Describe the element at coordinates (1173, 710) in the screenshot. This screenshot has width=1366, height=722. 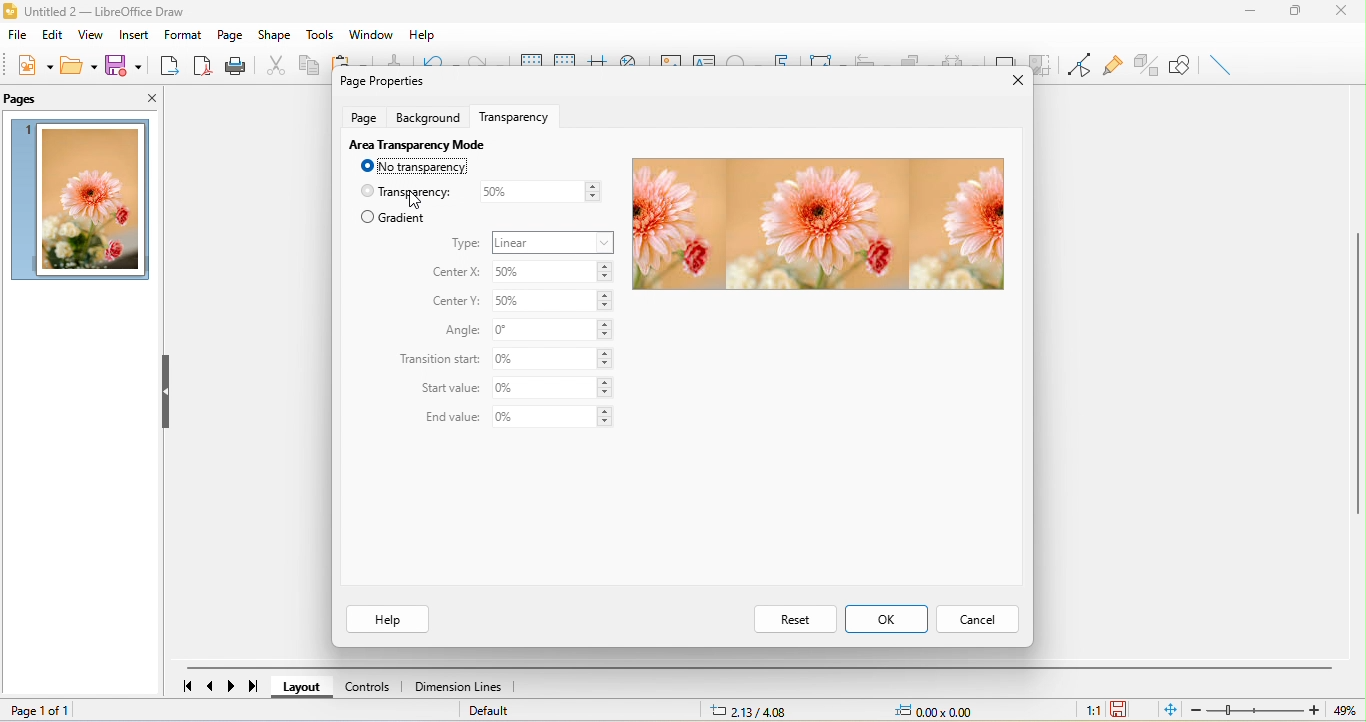
I see `fit to the current window` at that location.